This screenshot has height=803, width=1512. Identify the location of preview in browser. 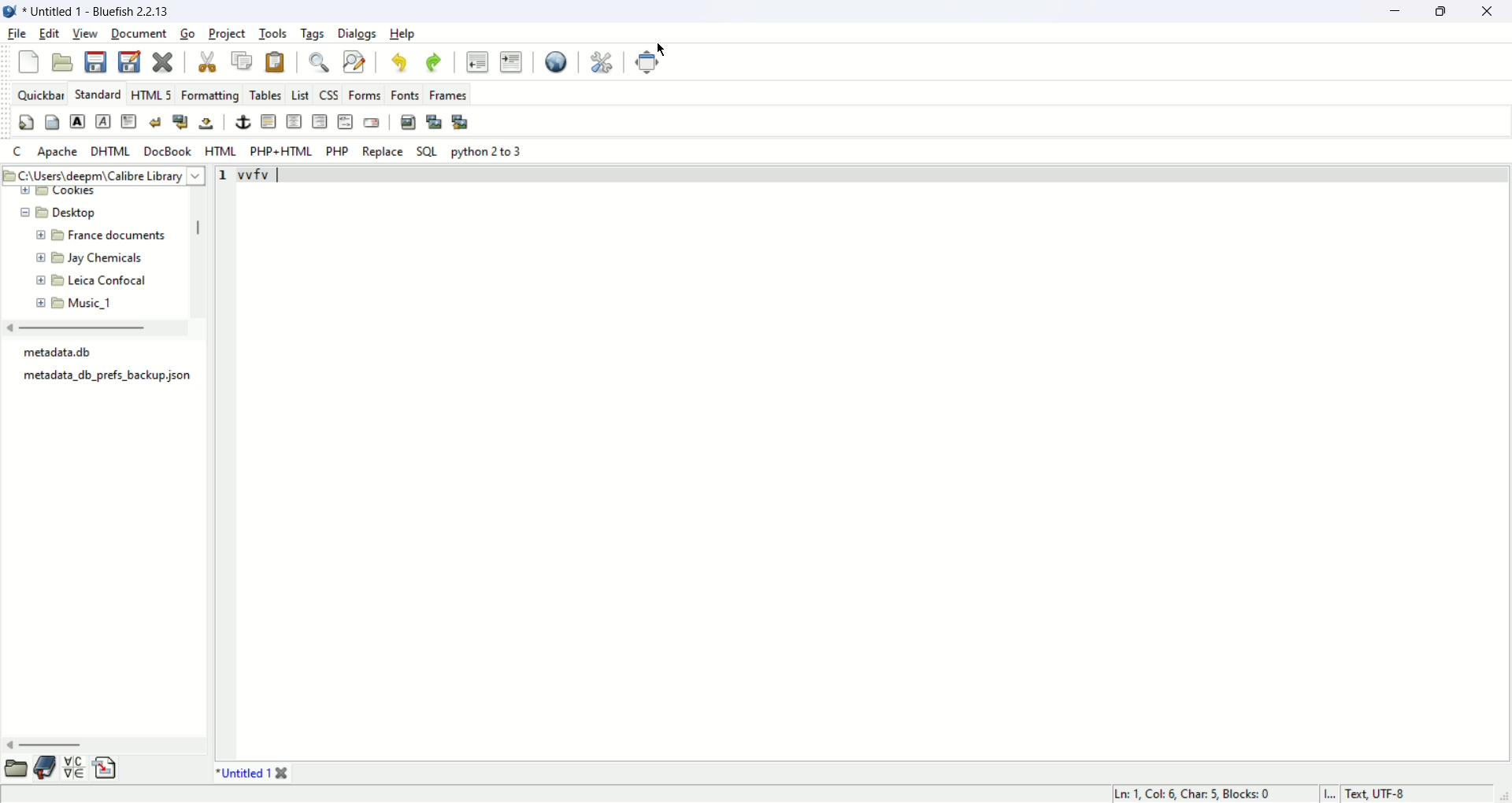
(558, 60).